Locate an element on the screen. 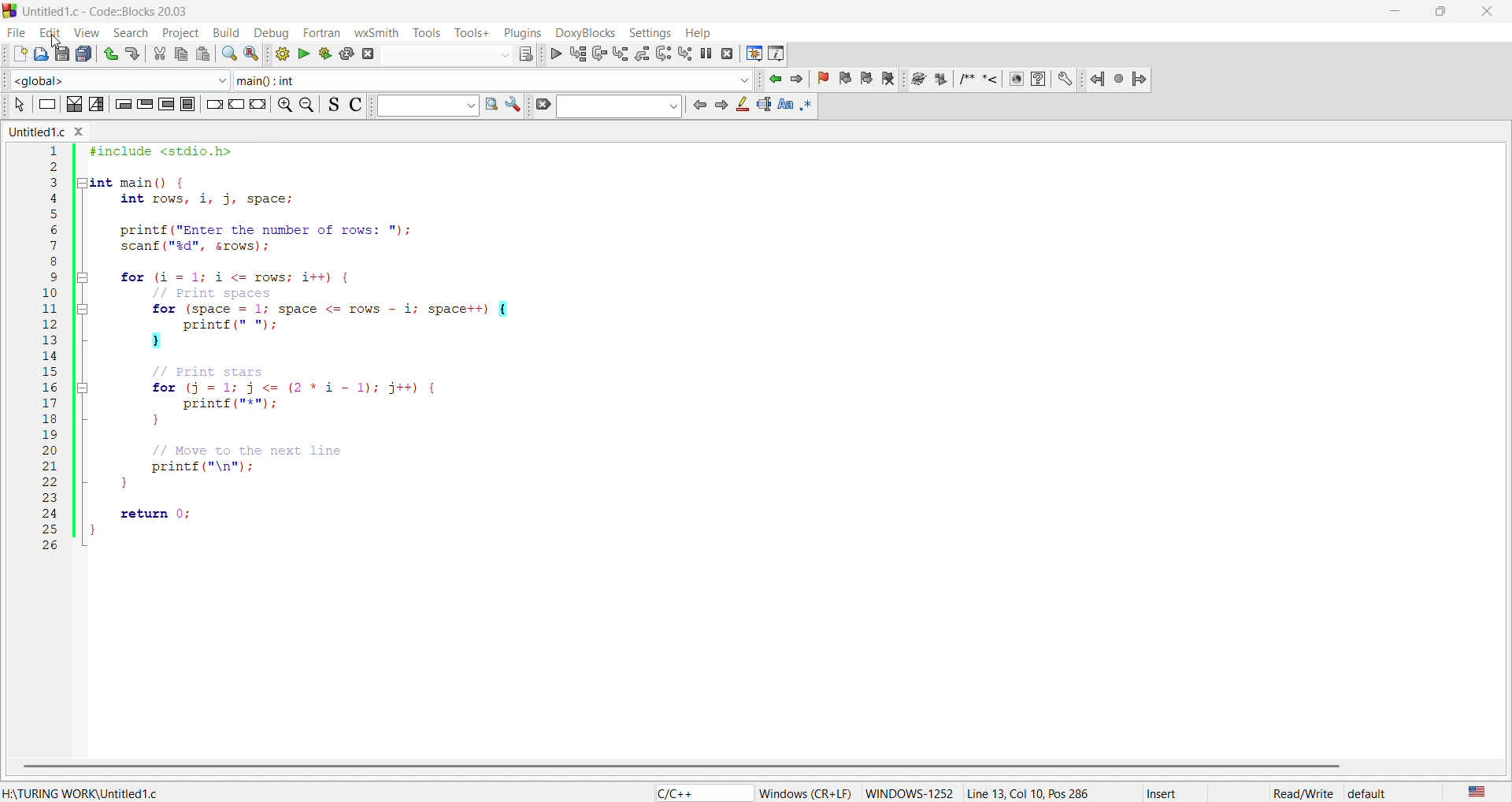 This screenshot has width=1512, height=802. undo is located at coordinates (111, 54).